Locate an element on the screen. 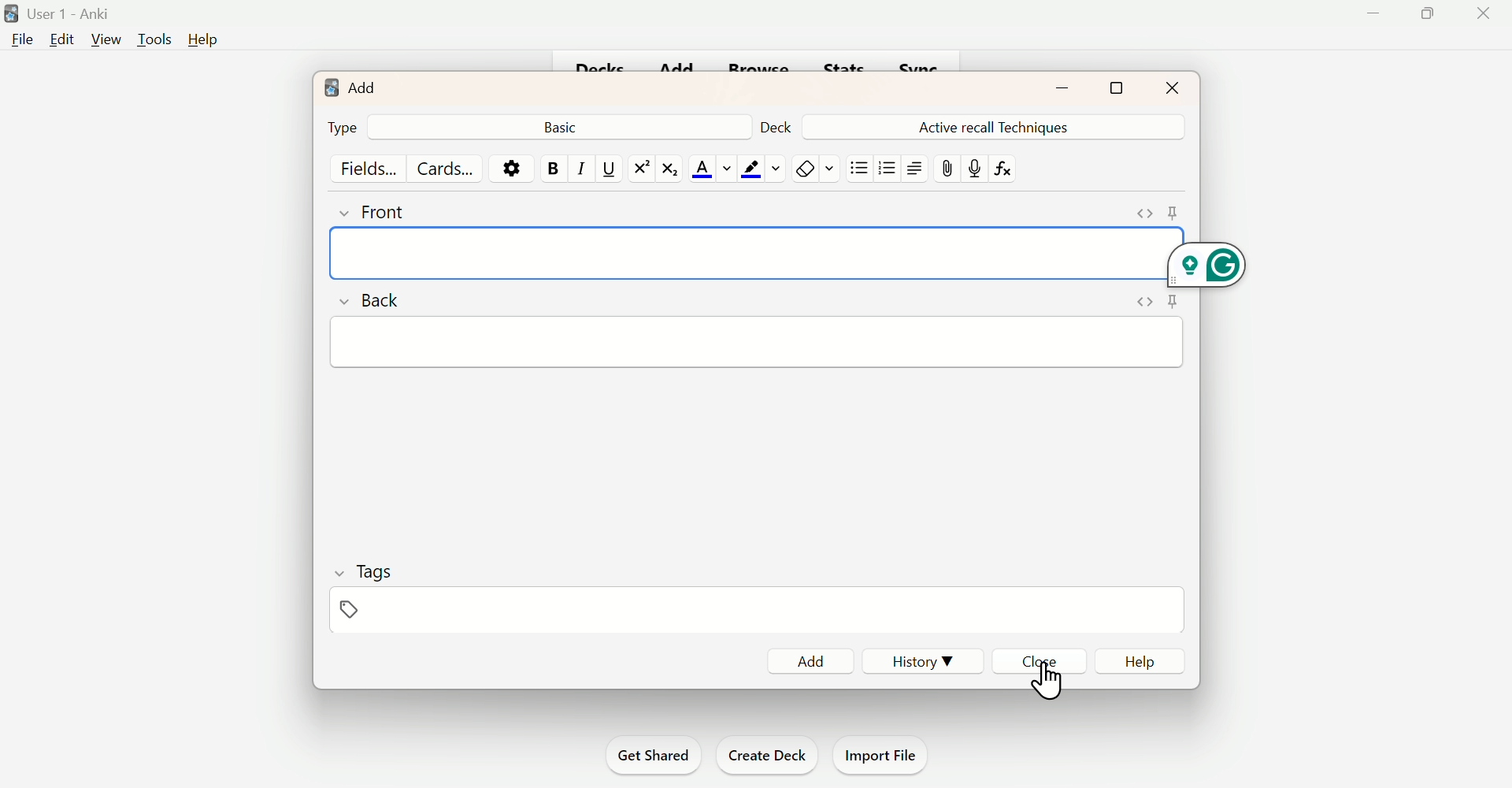 Image resolution: width=1512 pixels, height=788 pixels. minimise is located at coordinates (1053, 88).